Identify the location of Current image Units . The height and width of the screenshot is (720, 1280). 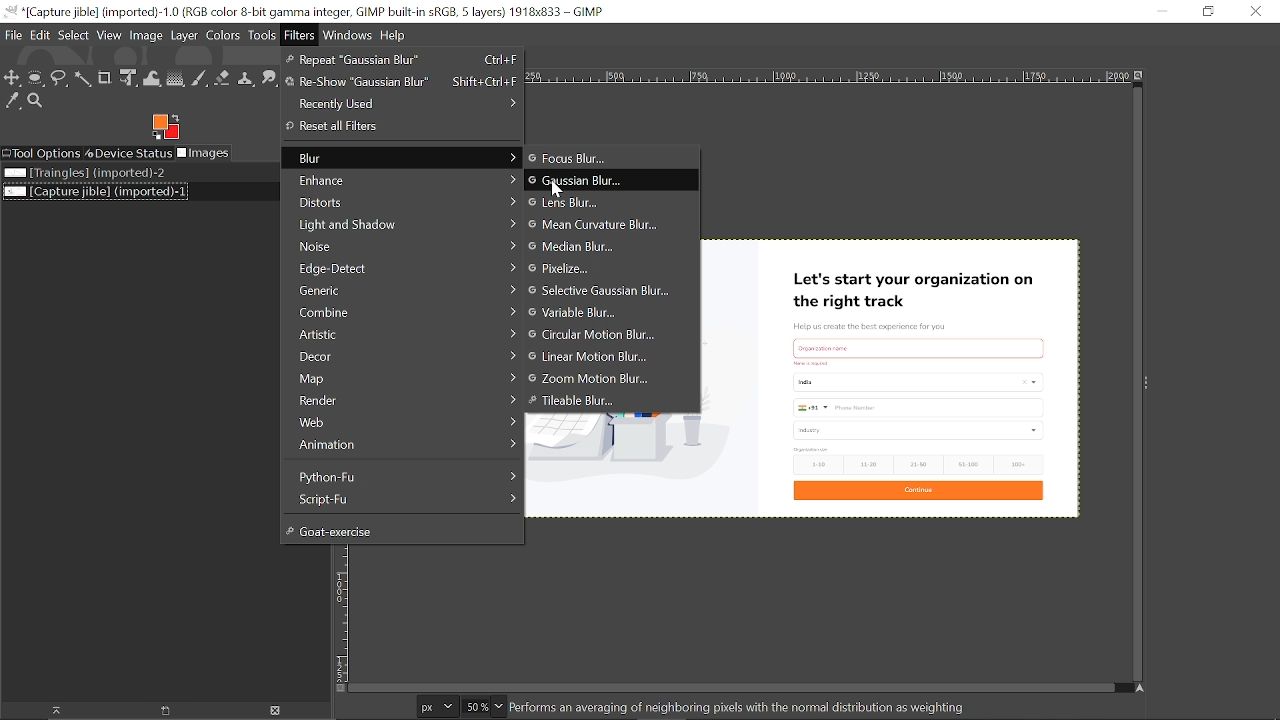
(437, 706).